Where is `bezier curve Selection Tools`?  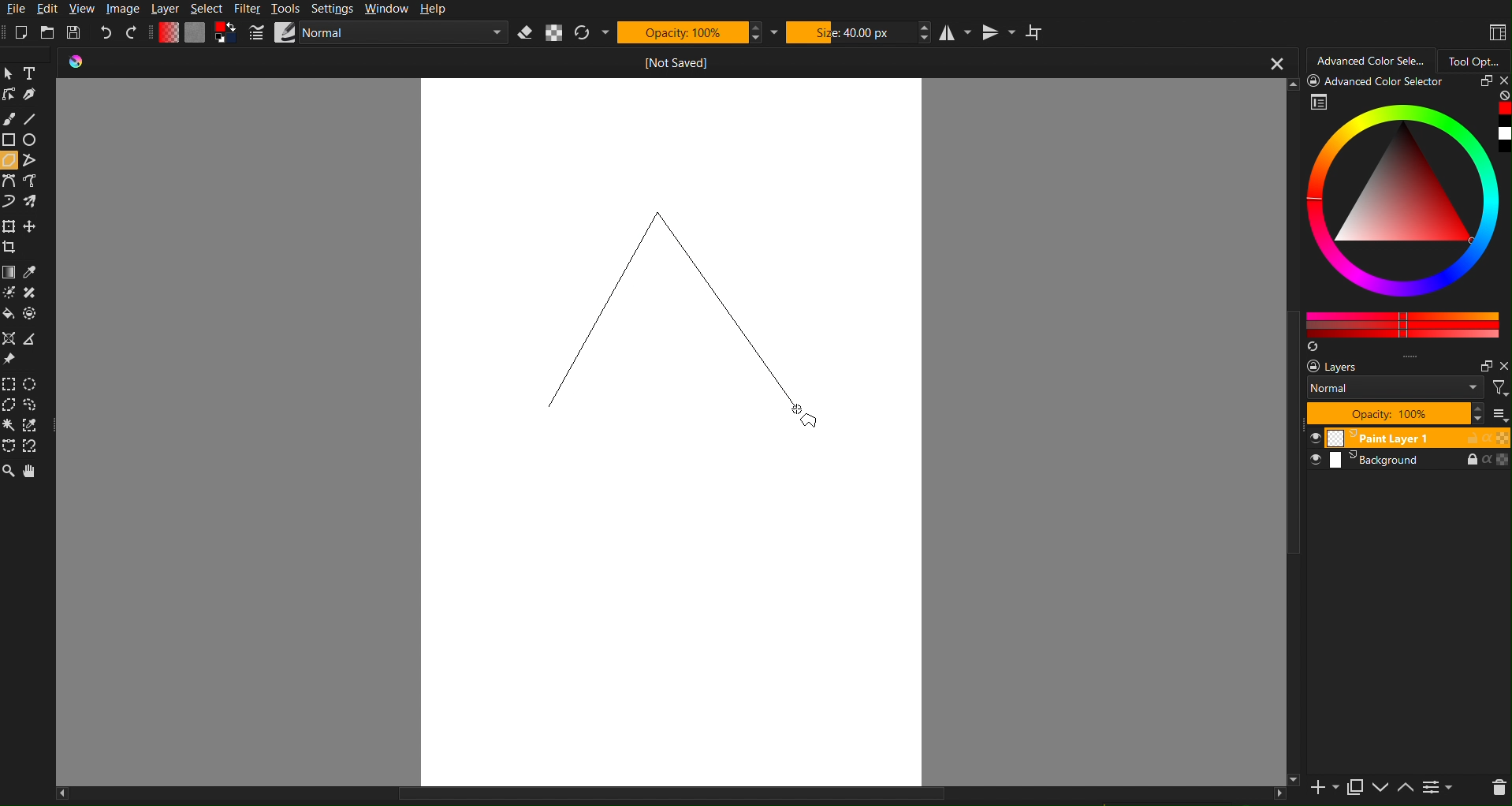
bezier curve Selection Tools is located at coordinates (11, 447).